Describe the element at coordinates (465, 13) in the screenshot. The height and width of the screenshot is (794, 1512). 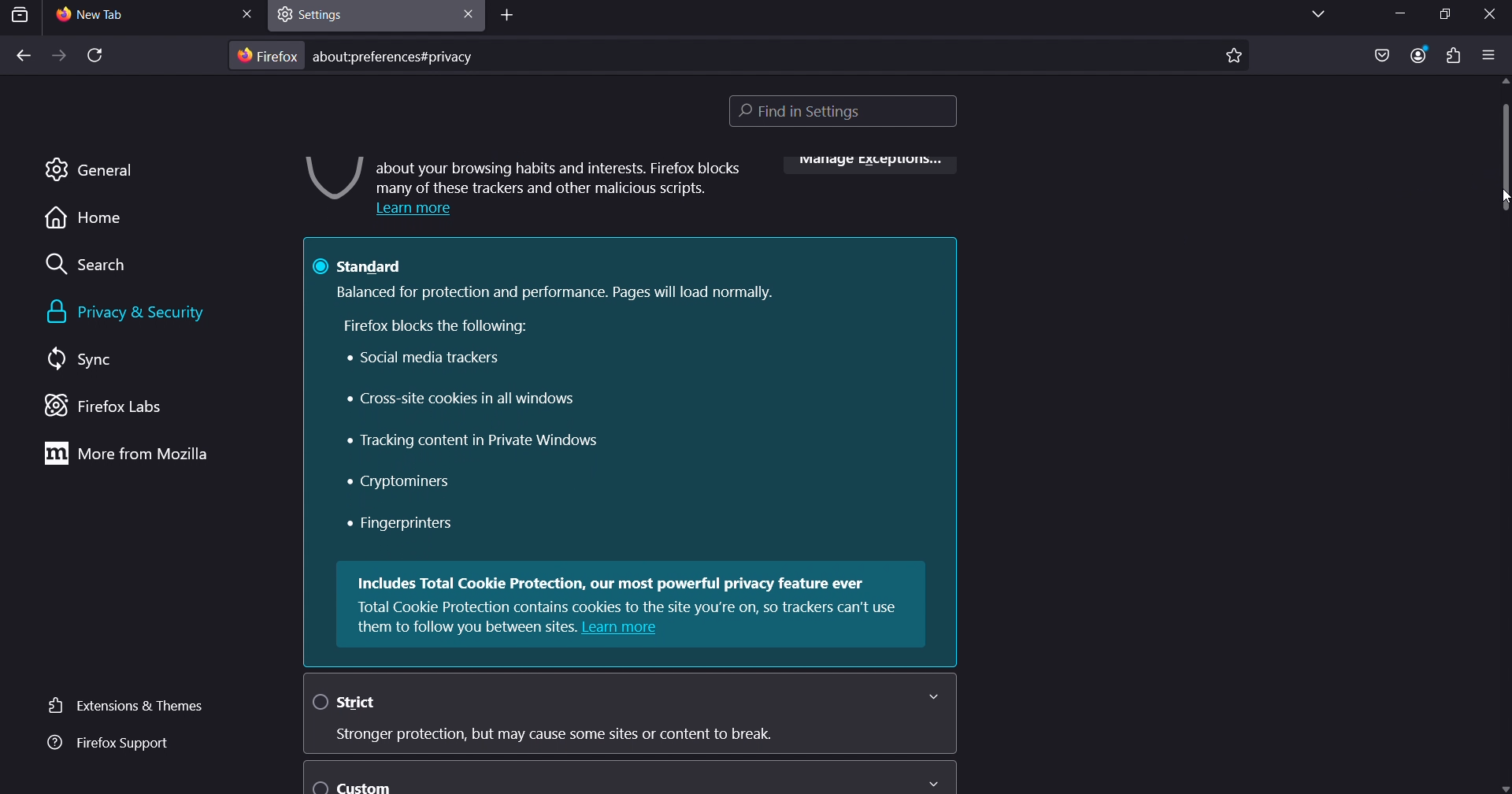
I see `close tab` at that location.